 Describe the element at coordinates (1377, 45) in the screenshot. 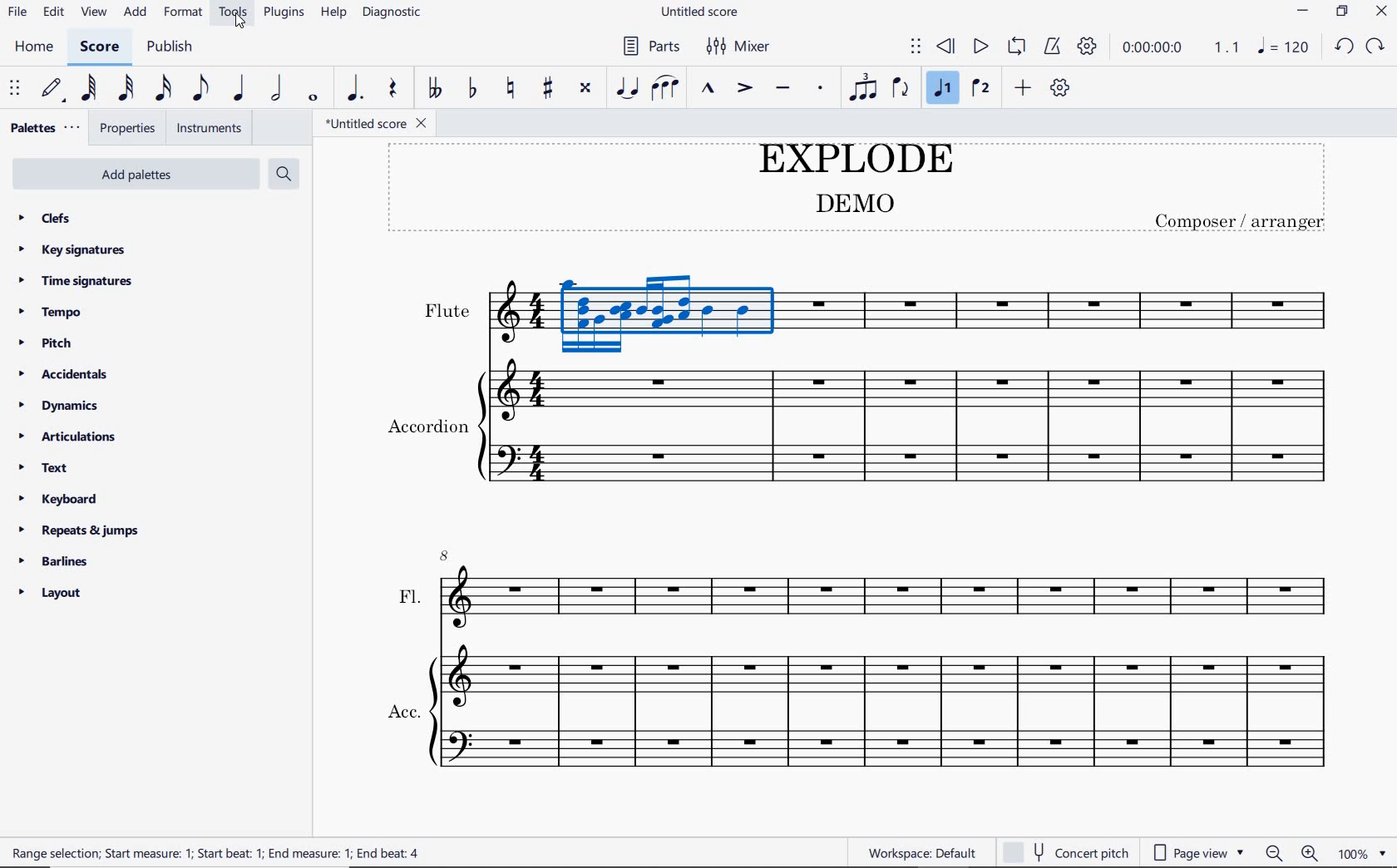

I see `undo` at that location.